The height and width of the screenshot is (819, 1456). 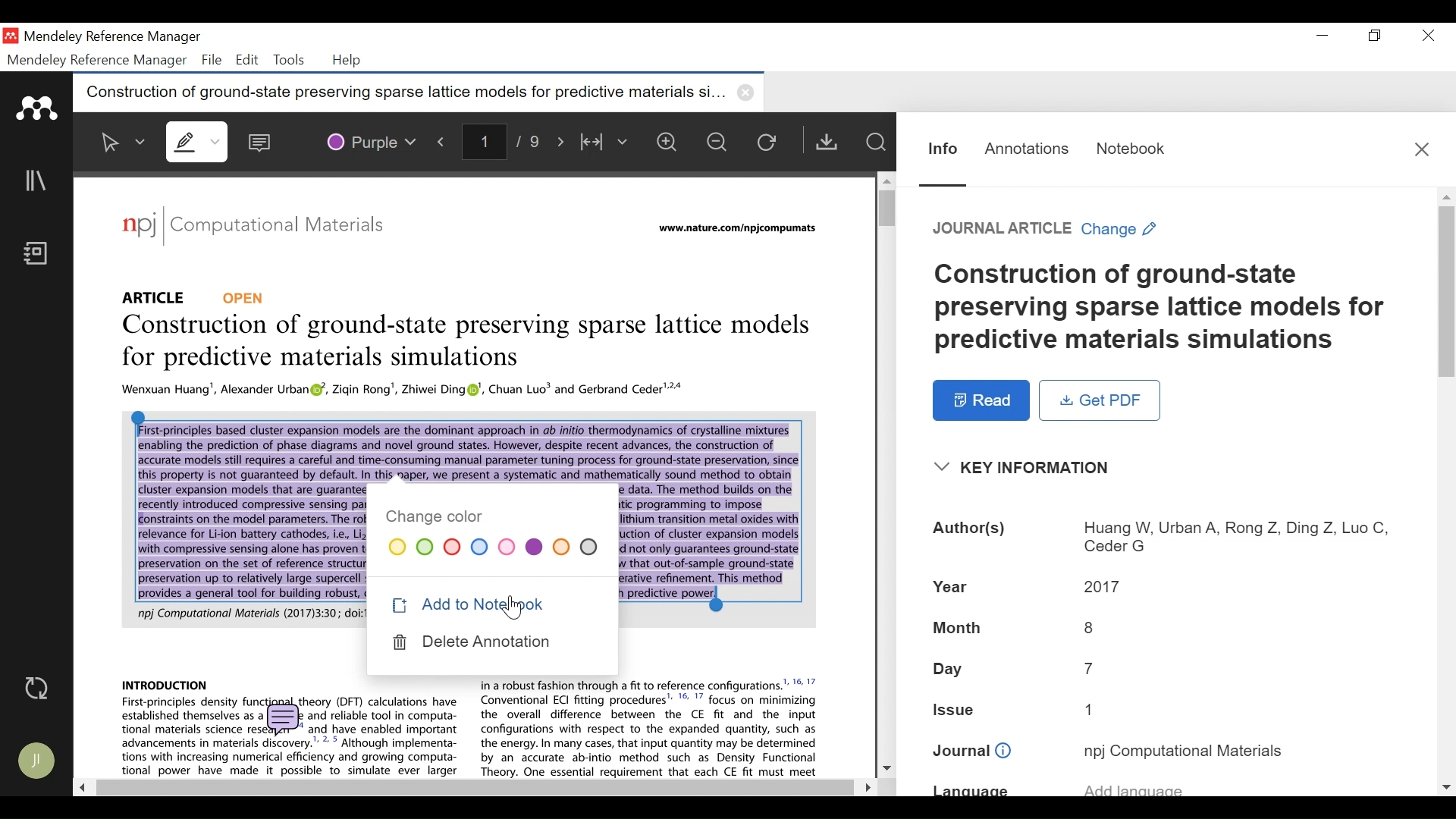 What do you see at coordinates (1446, 196) in the screenshot?
I see `Scroll up` at bounding box center [1446, 196].